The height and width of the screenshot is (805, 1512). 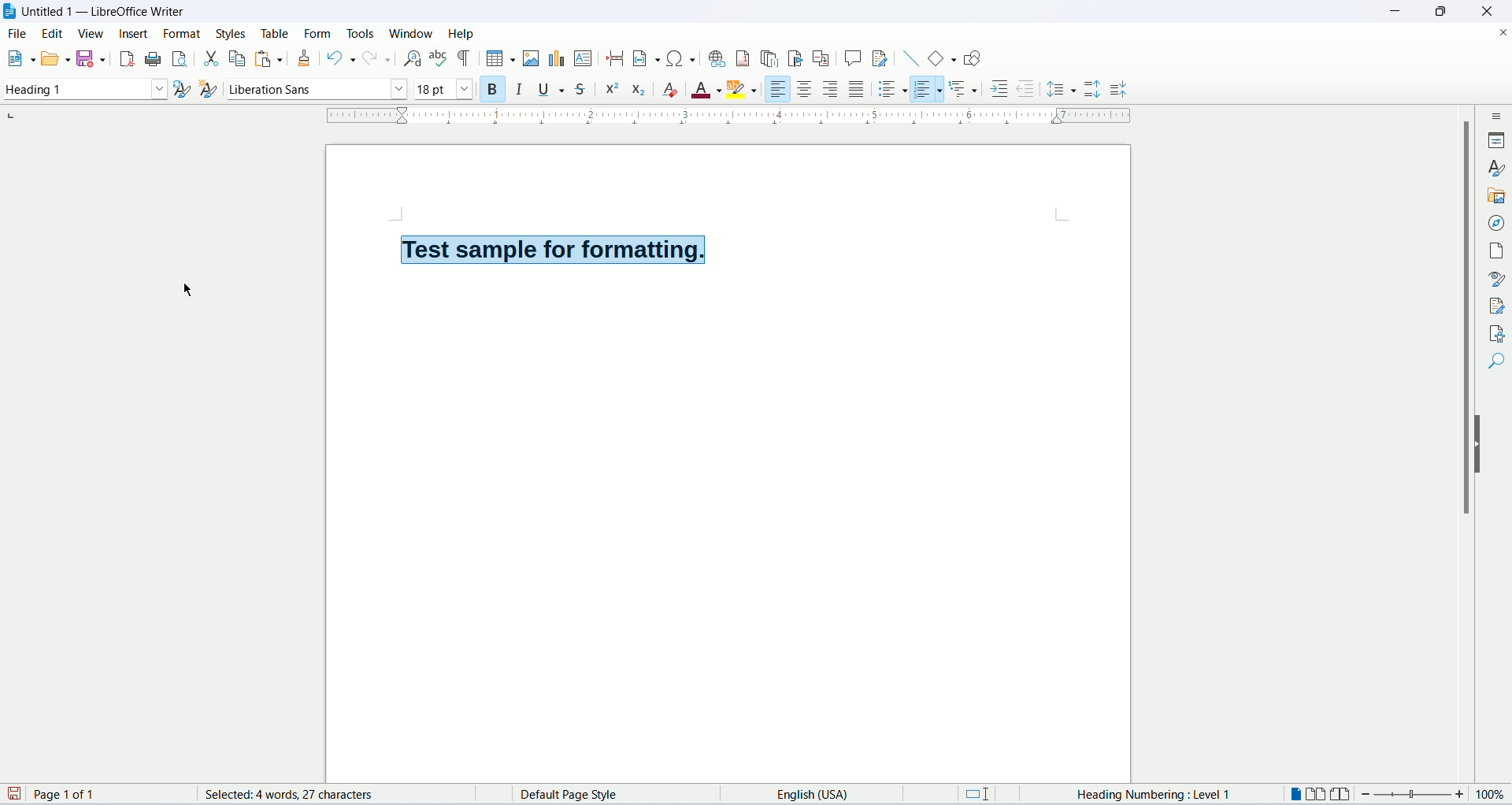 I want to click on style, so click(x=1496, y=169).